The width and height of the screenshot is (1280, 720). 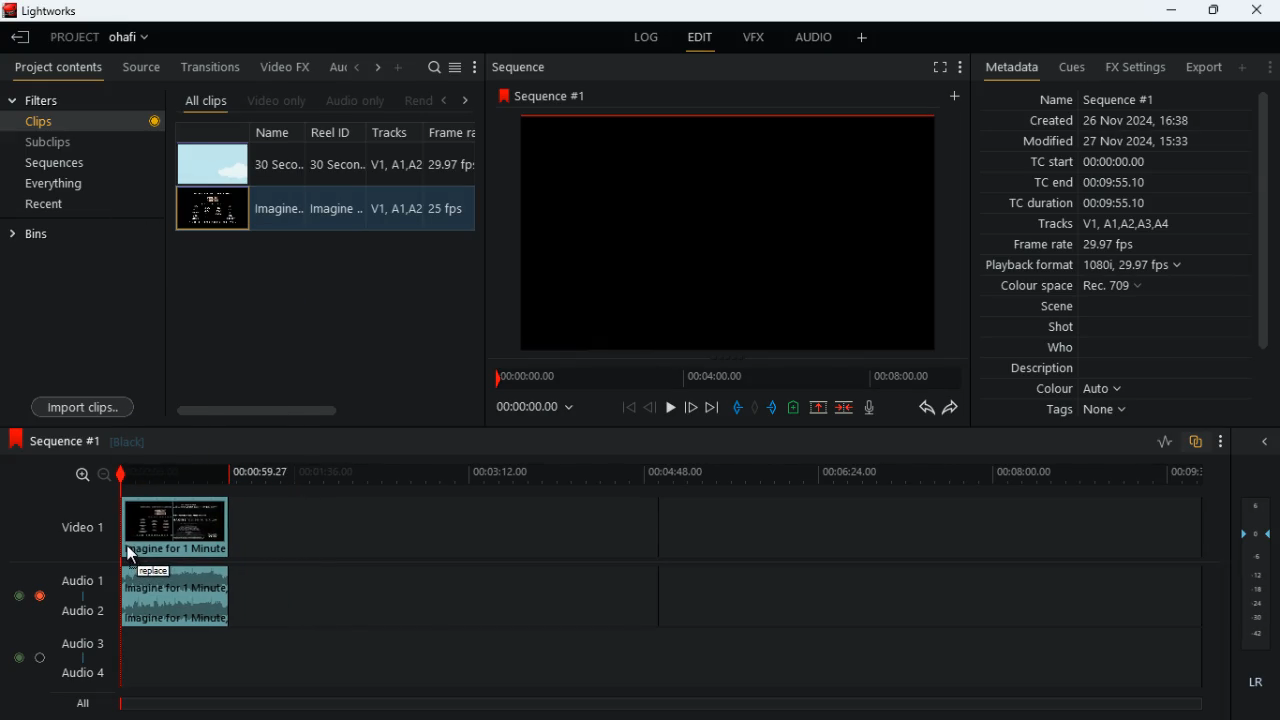 What do you see at coordinates (278, 164) in the screenshot?
I see `Name` at bounding box center [278, 164].